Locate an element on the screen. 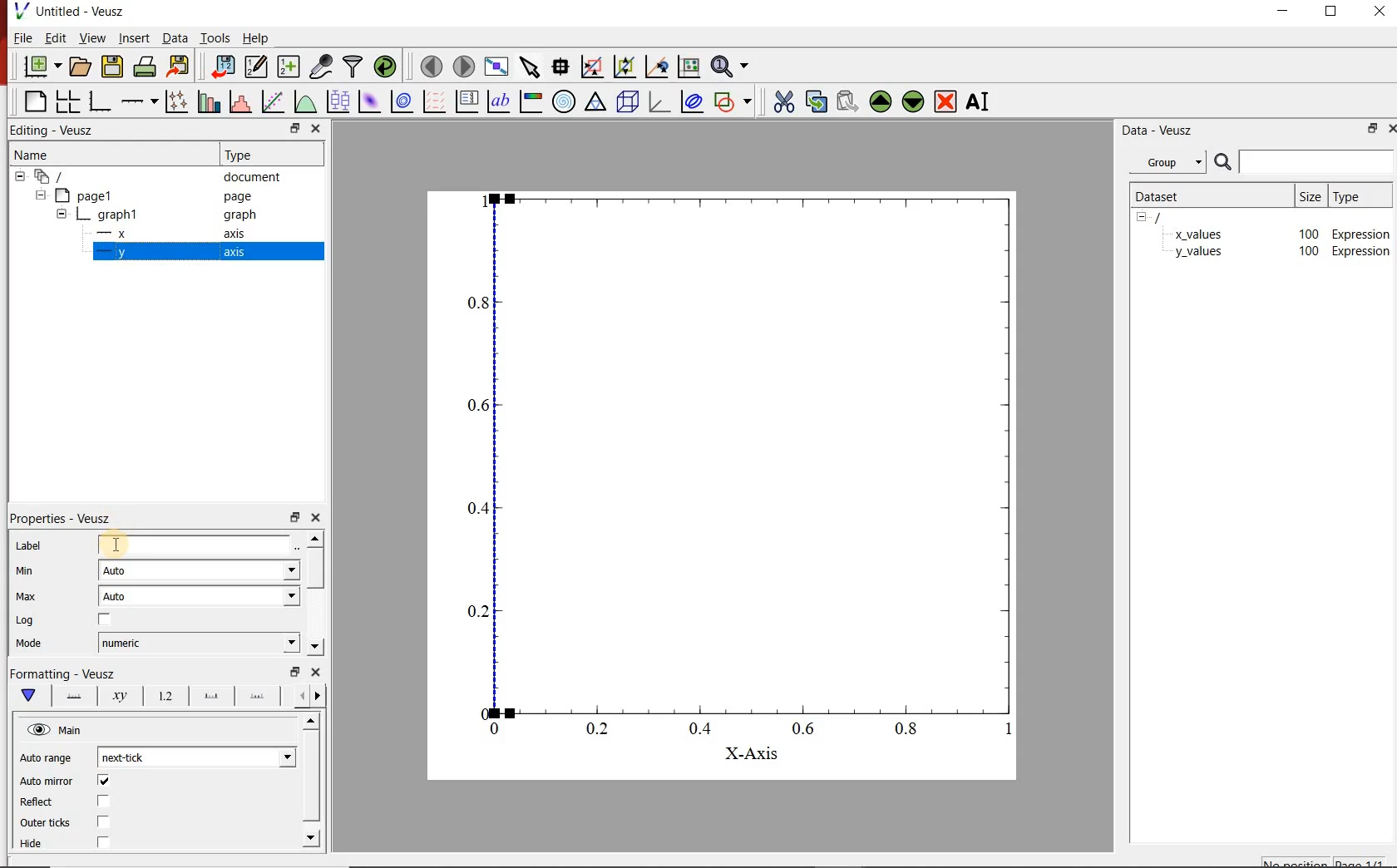  Type is located at coordinates (250, 155).